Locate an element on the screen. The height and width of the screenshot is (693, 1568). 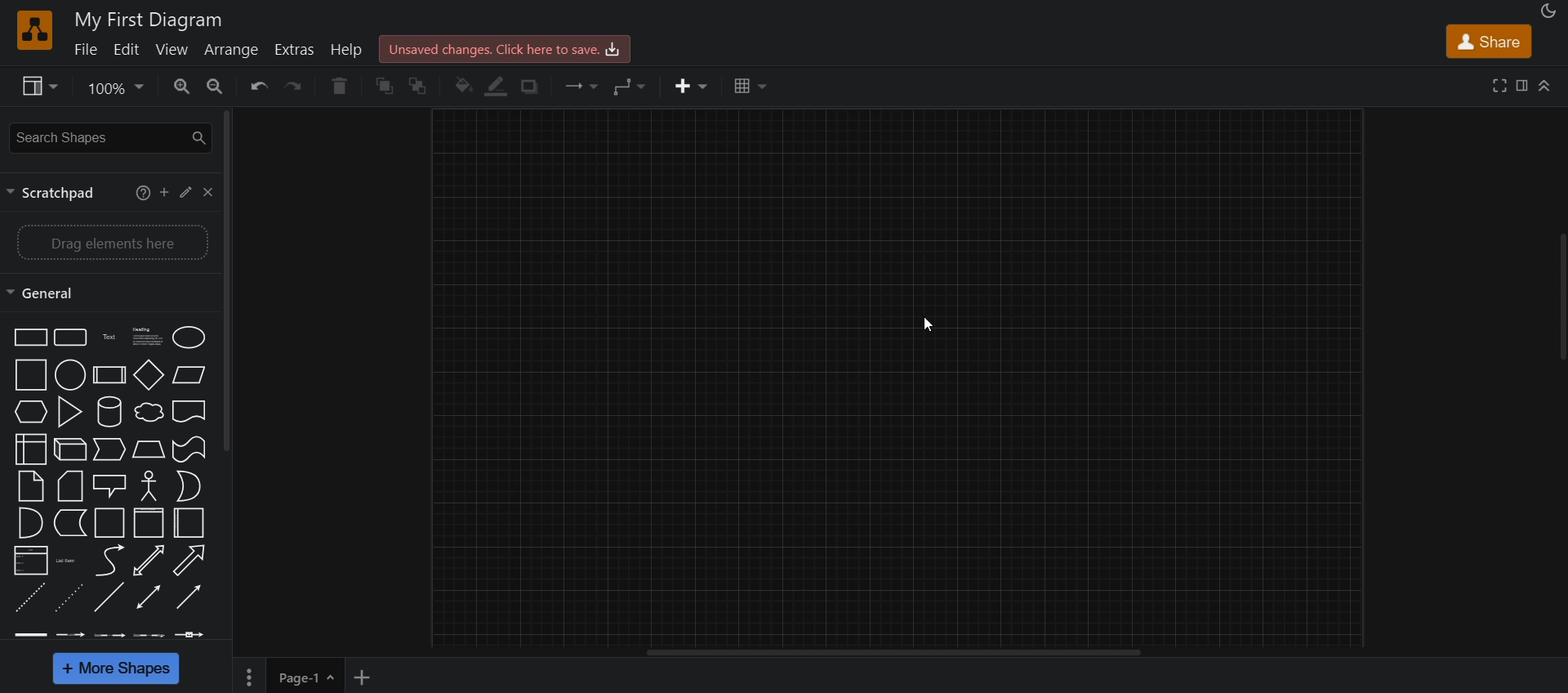
page 1 is located at coordinates (310, 676).